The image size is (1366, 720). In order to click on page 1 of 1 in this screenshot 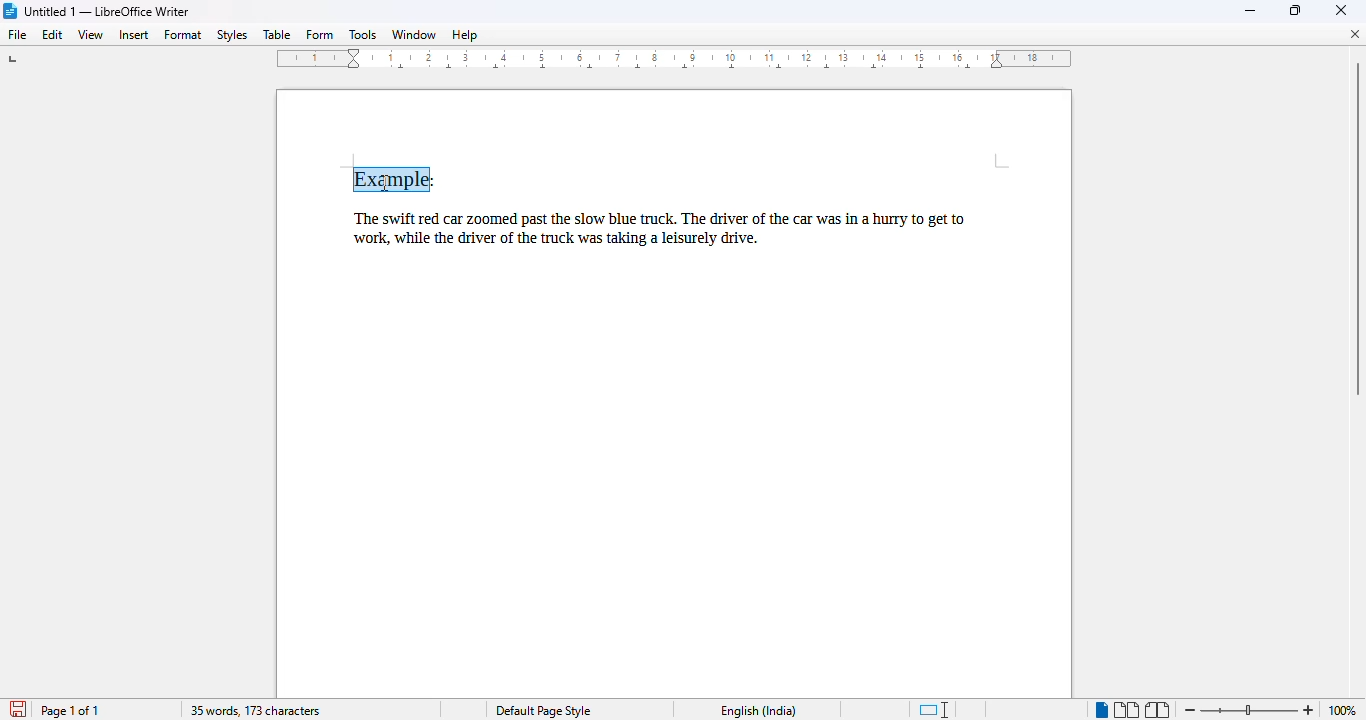, I will do `click(70, 710)`.